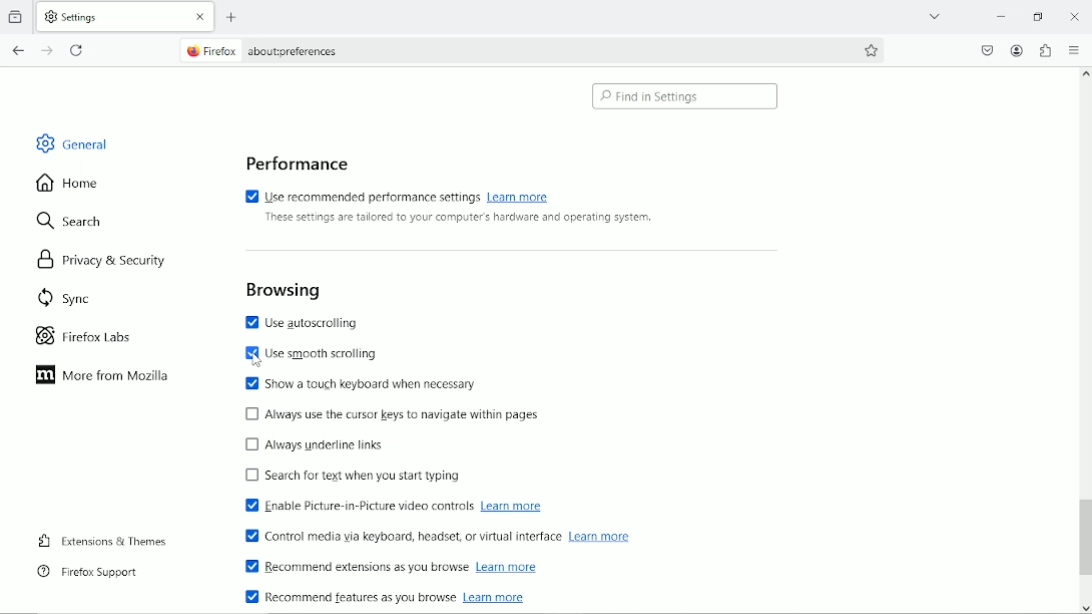 The width and height of the screenshot is (1092, 614). Describe the element at coordinates (600, 536) in the screenshot. I see `Learn more` at that location.